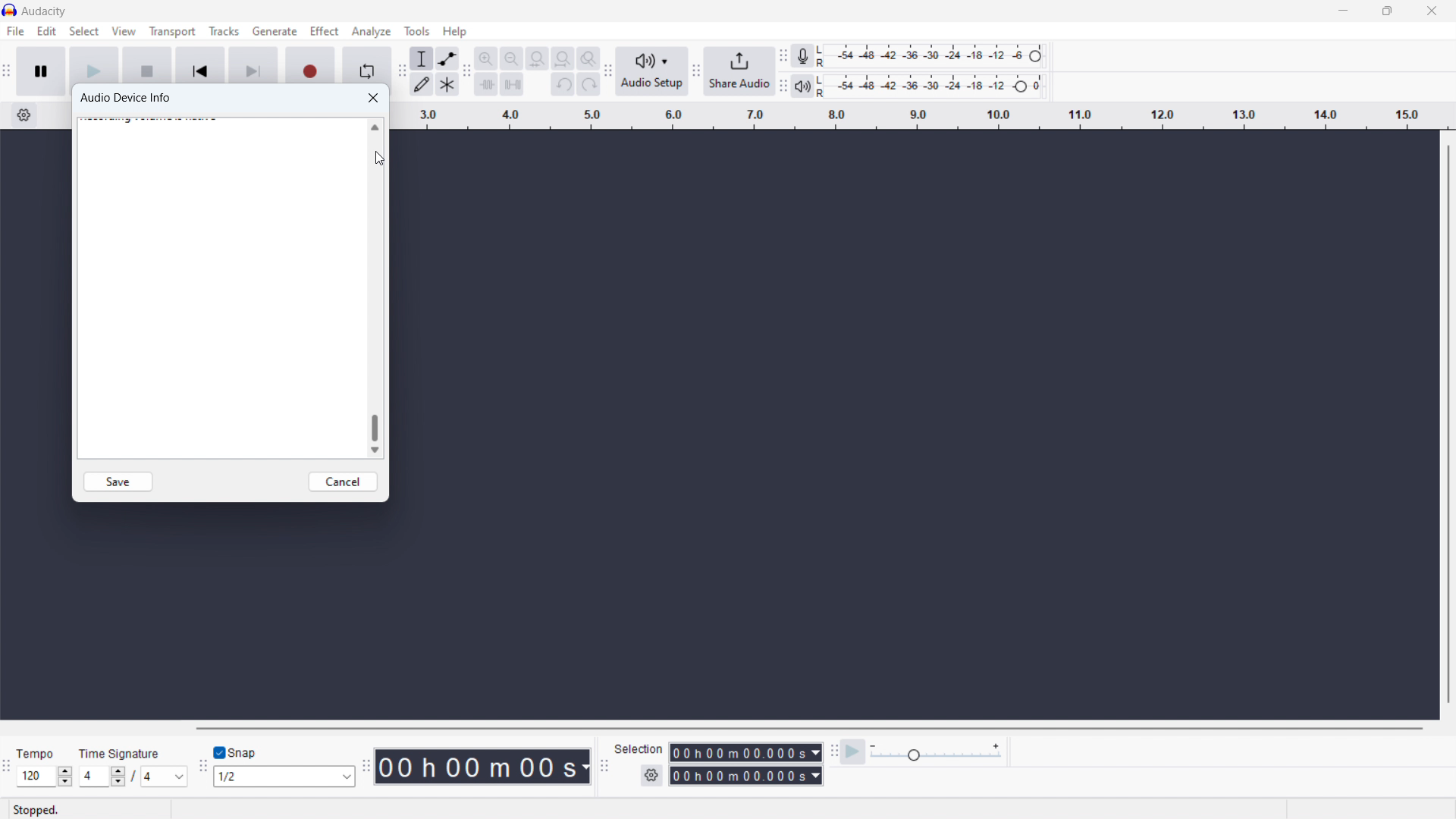 The image size is (1456, 819). What do you see at coordinates (373, 99) in the screenshot?
I see `close` at bounding box center [373, 99].